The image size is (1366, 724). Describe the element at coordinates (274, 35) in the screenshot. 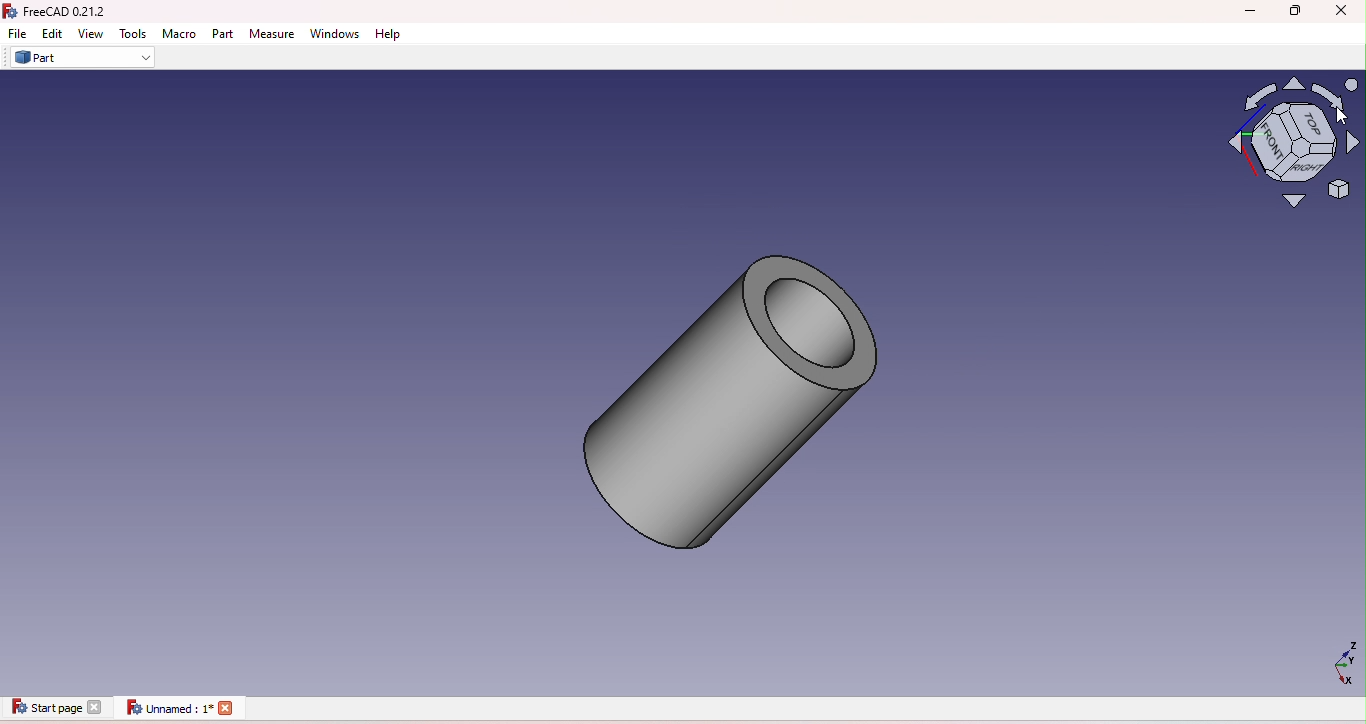

I see `Measure` at that location.